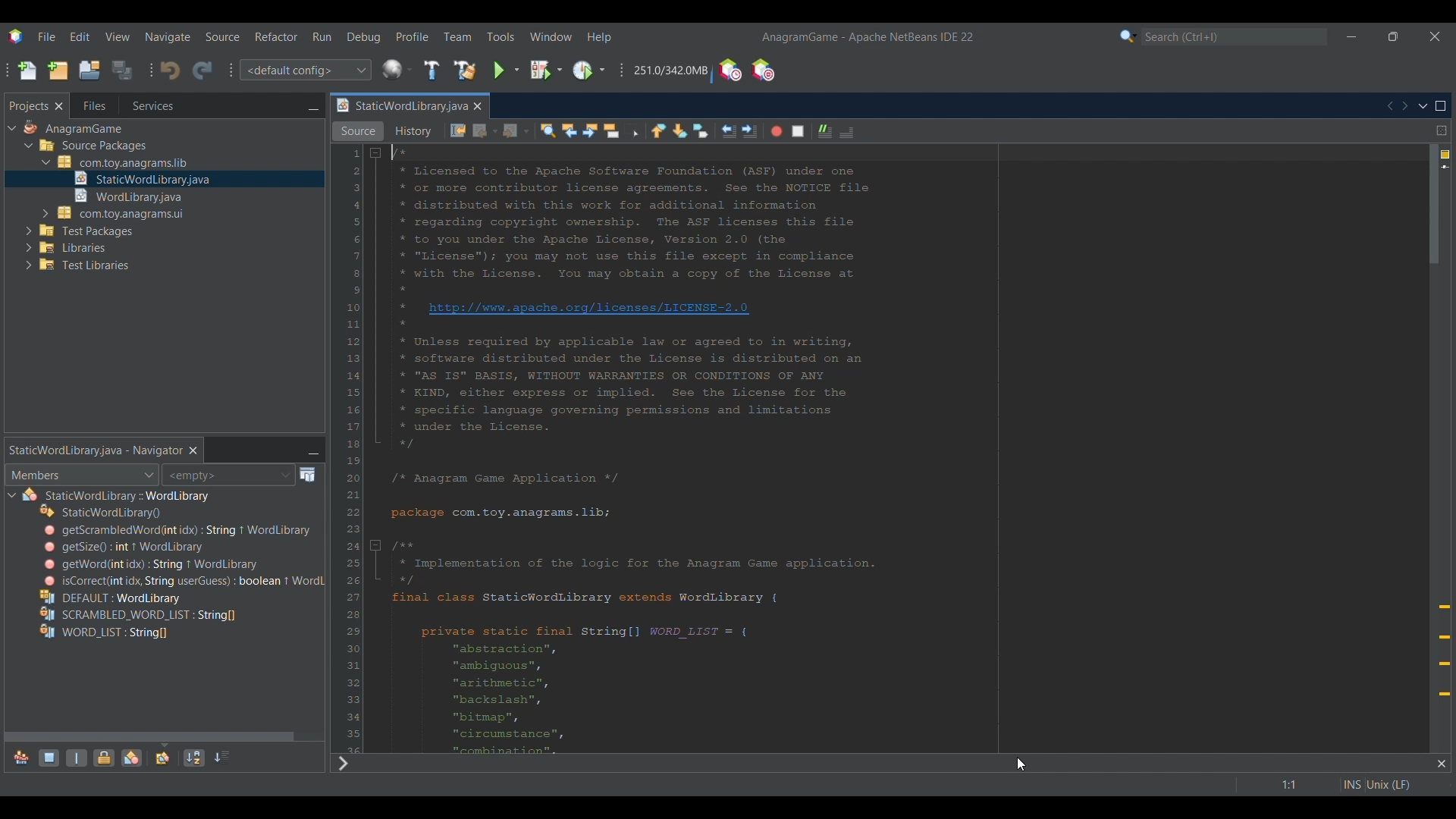 The image size is (1456, 819). I want to click on Select project configuration or Customize, so click(306, 70).